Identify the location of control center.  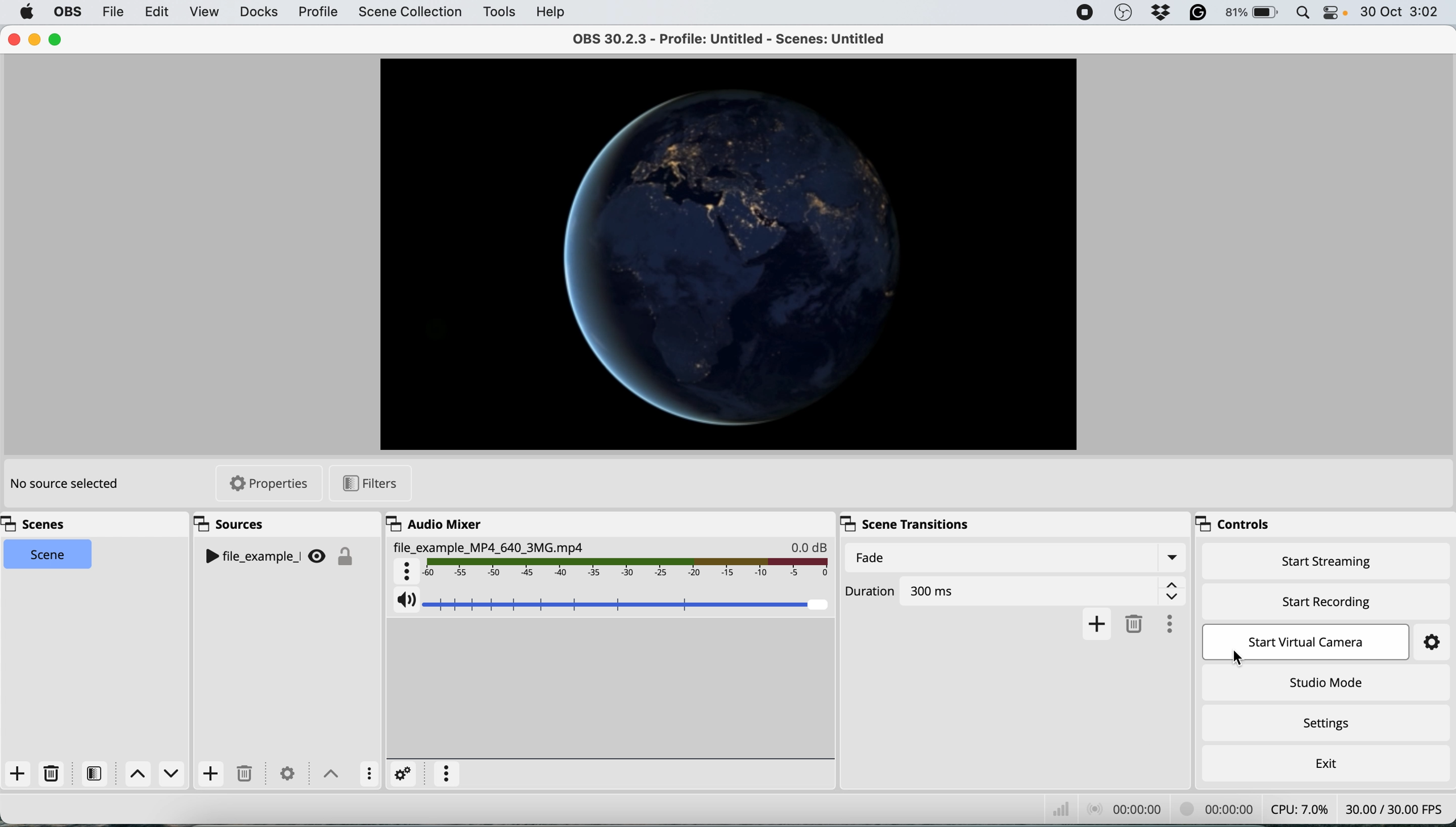
(1333, 13).